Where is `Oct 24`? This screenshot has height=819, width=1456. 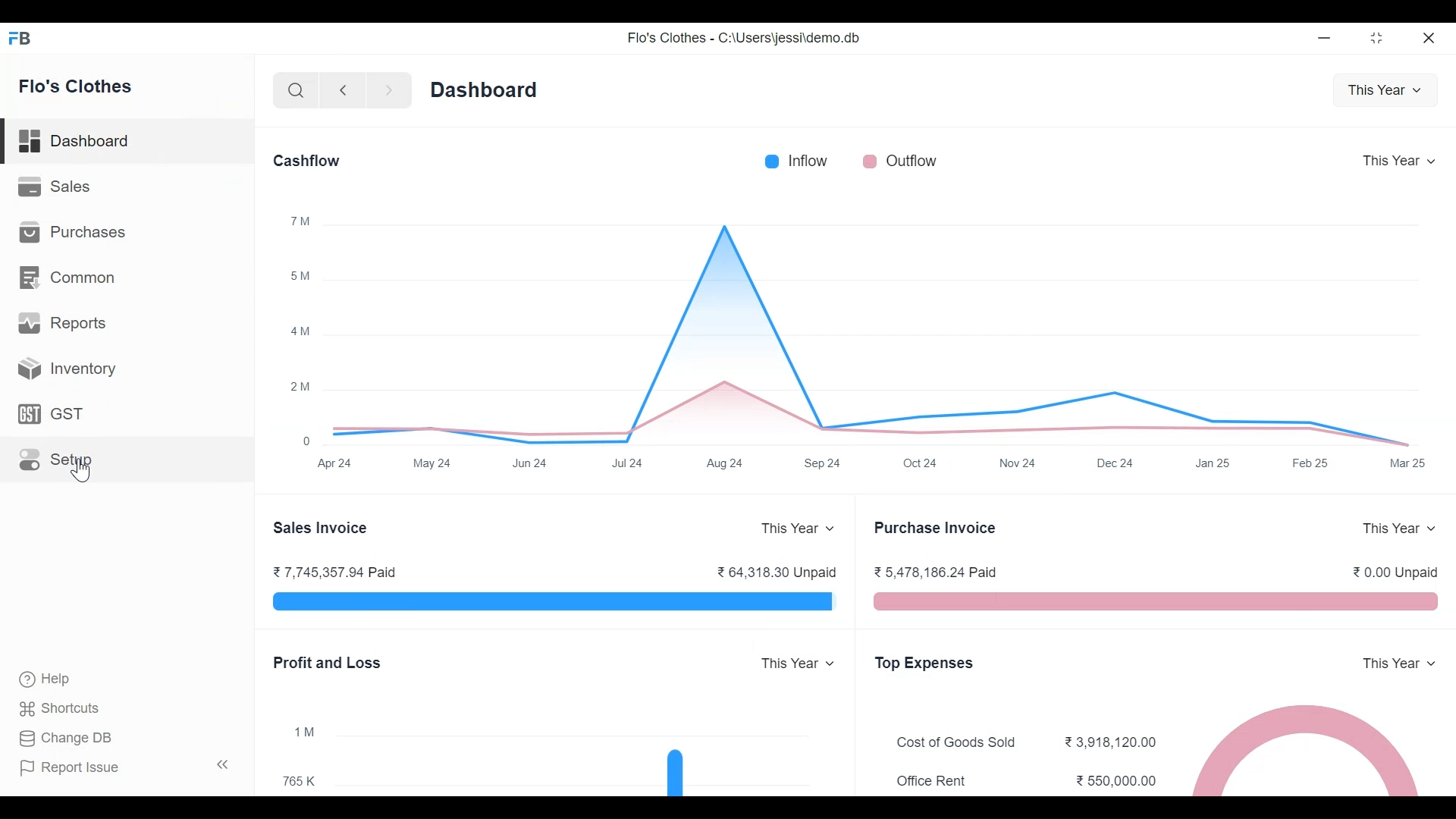 Oct 24 is located at coordinates (924, 465).